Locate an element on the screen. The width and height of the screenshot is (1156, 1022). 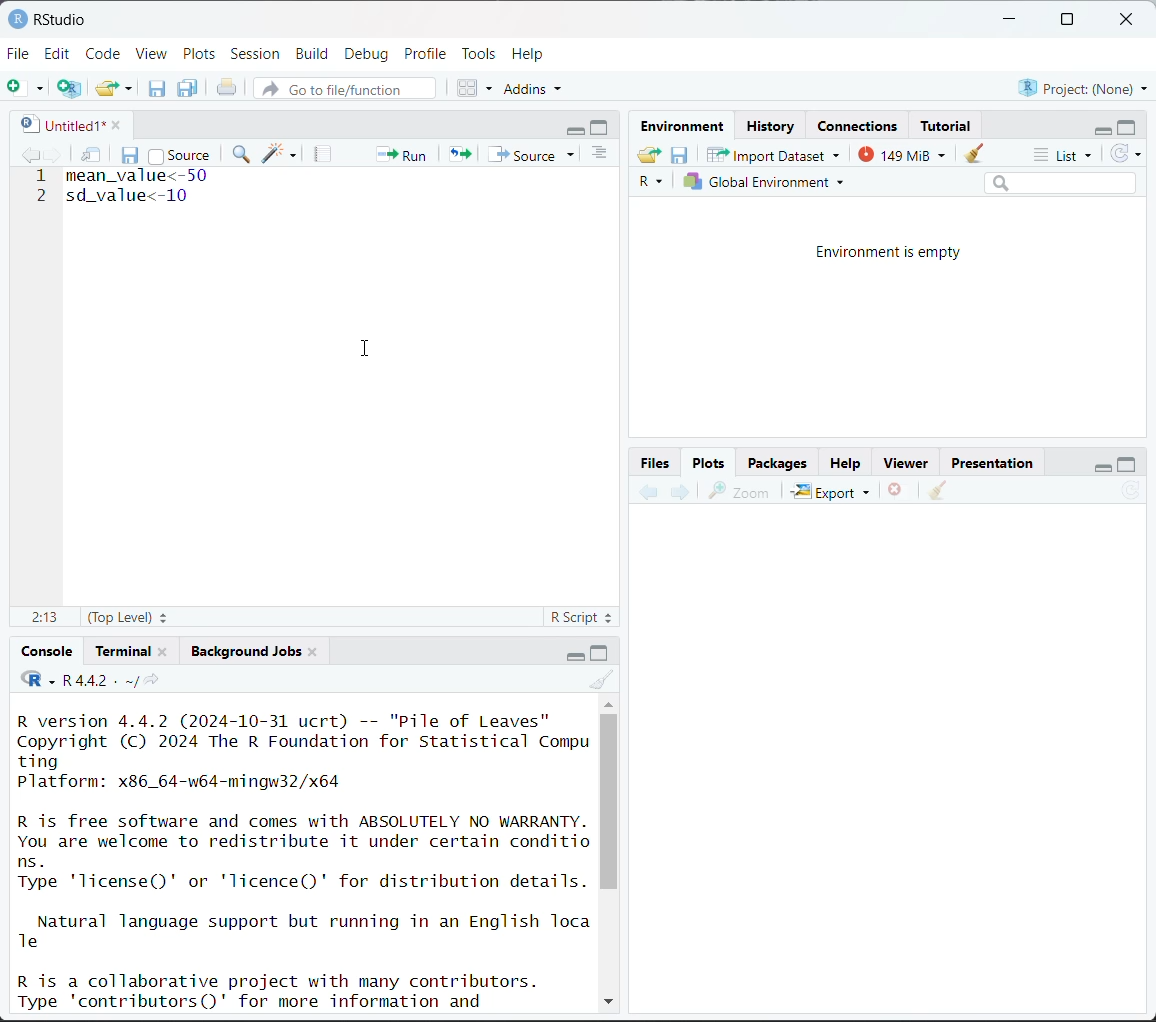
minimize is located at coordinates (1011, 20).